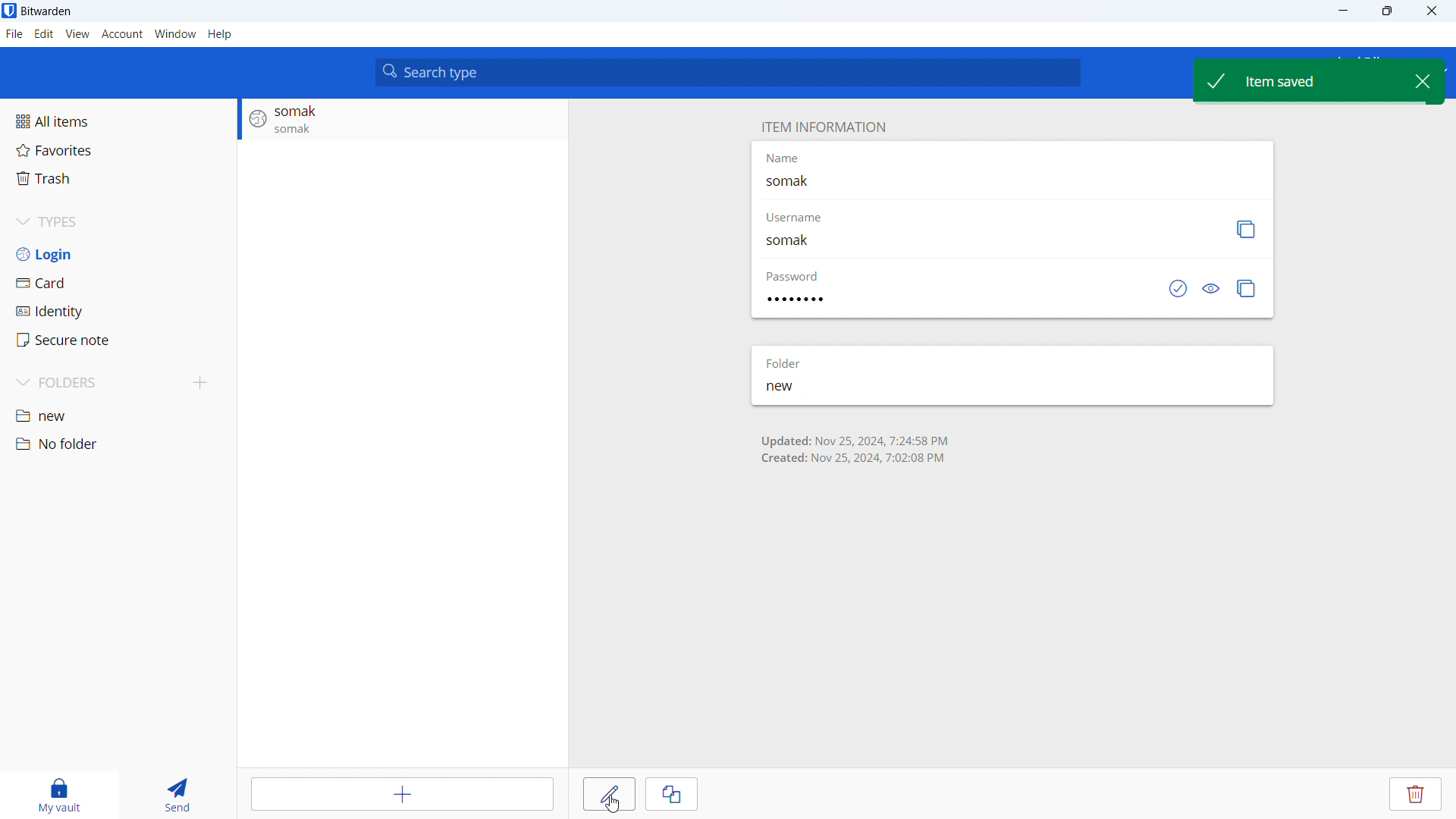 The width and height of the screenshot is (1456, 819). What do you see at coordinates (1298, 79) in the screenshot?
I see `item saved` at bounding box center [1298, 79].